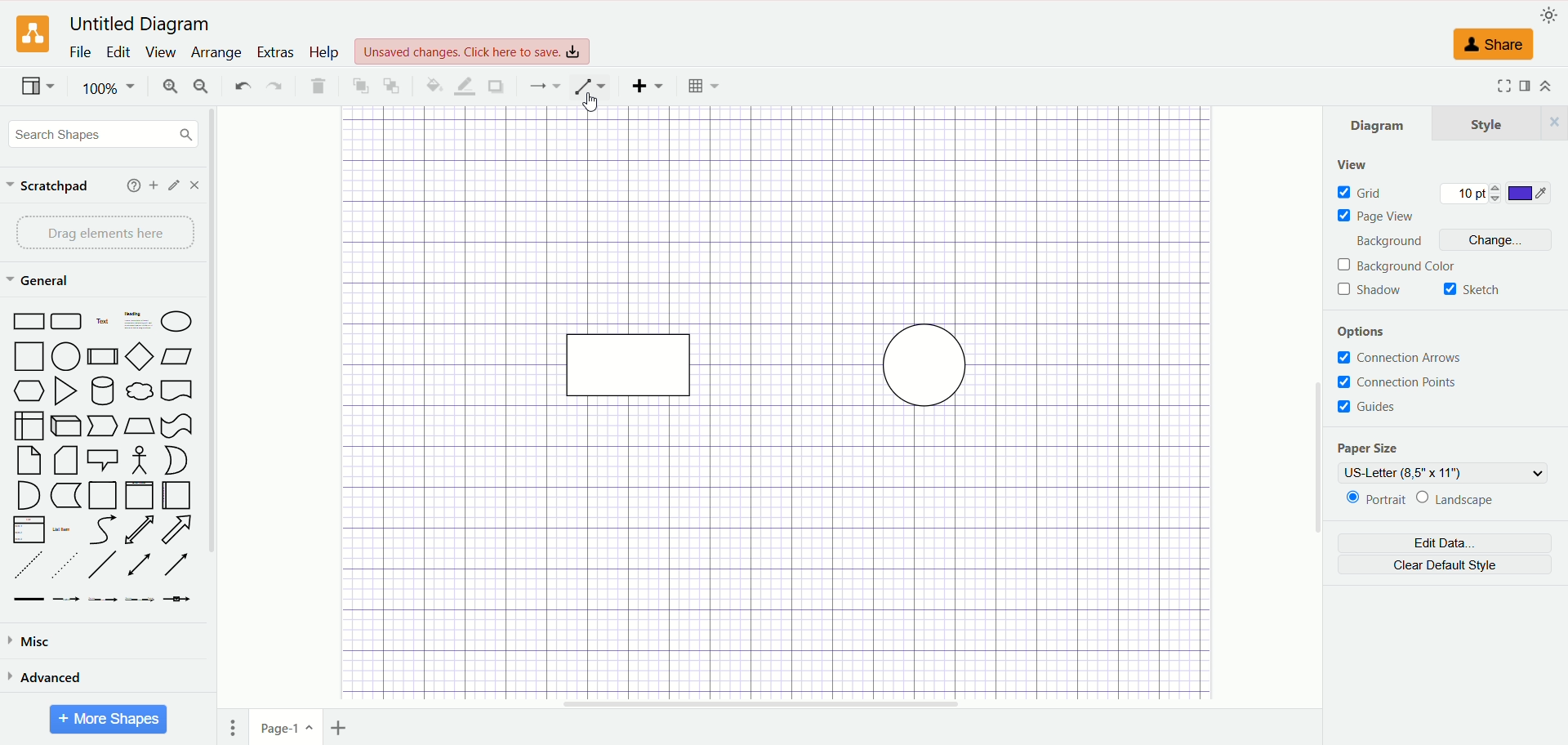 Image resolution: width=1568 pixels, height=745 pixels. Describe the element at coordinates (141, 391) in the screenshot. I see `Thought Bubble` at that location.